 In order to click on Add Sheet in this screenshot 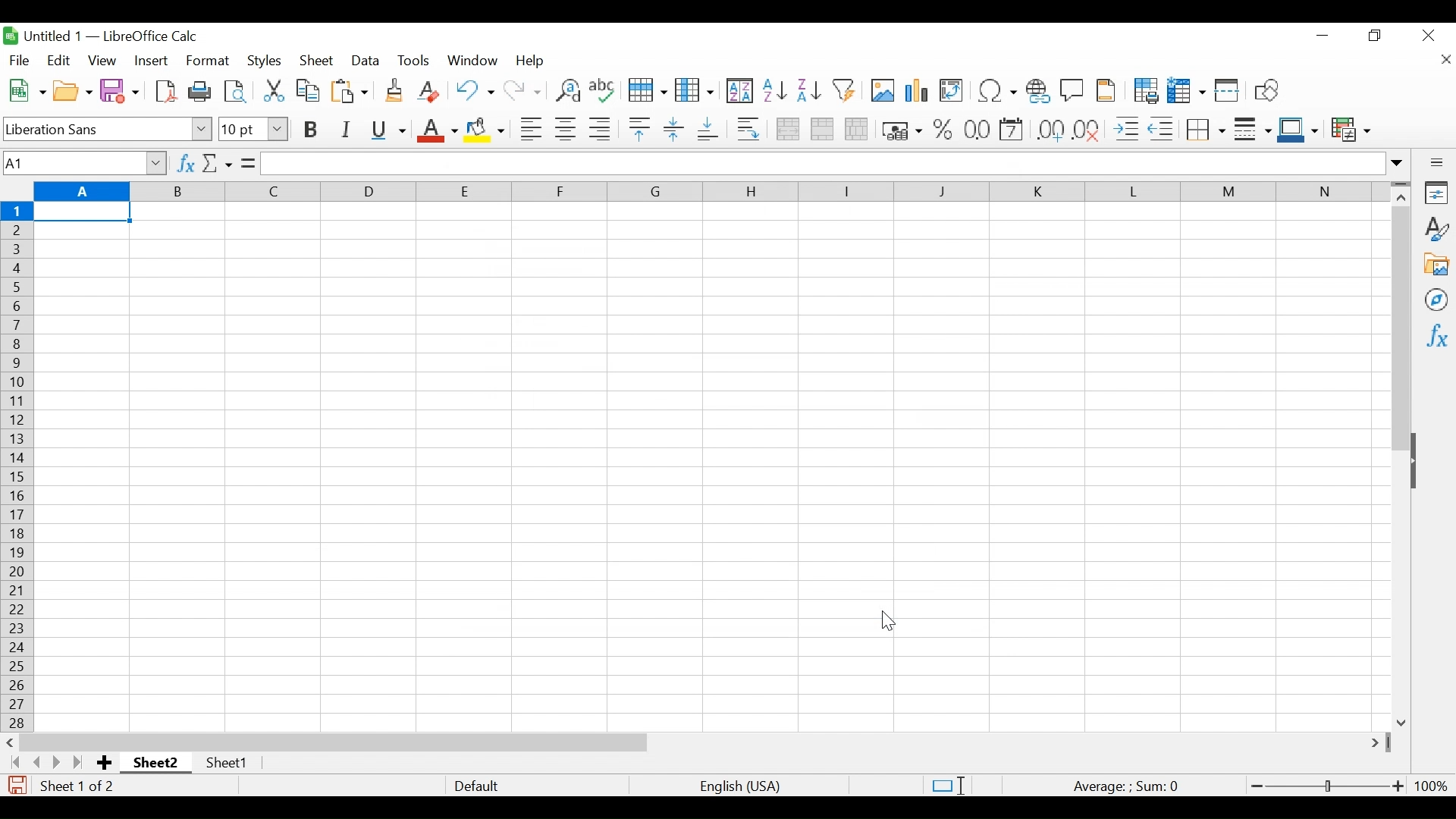, I will do `click(106, 762)`.